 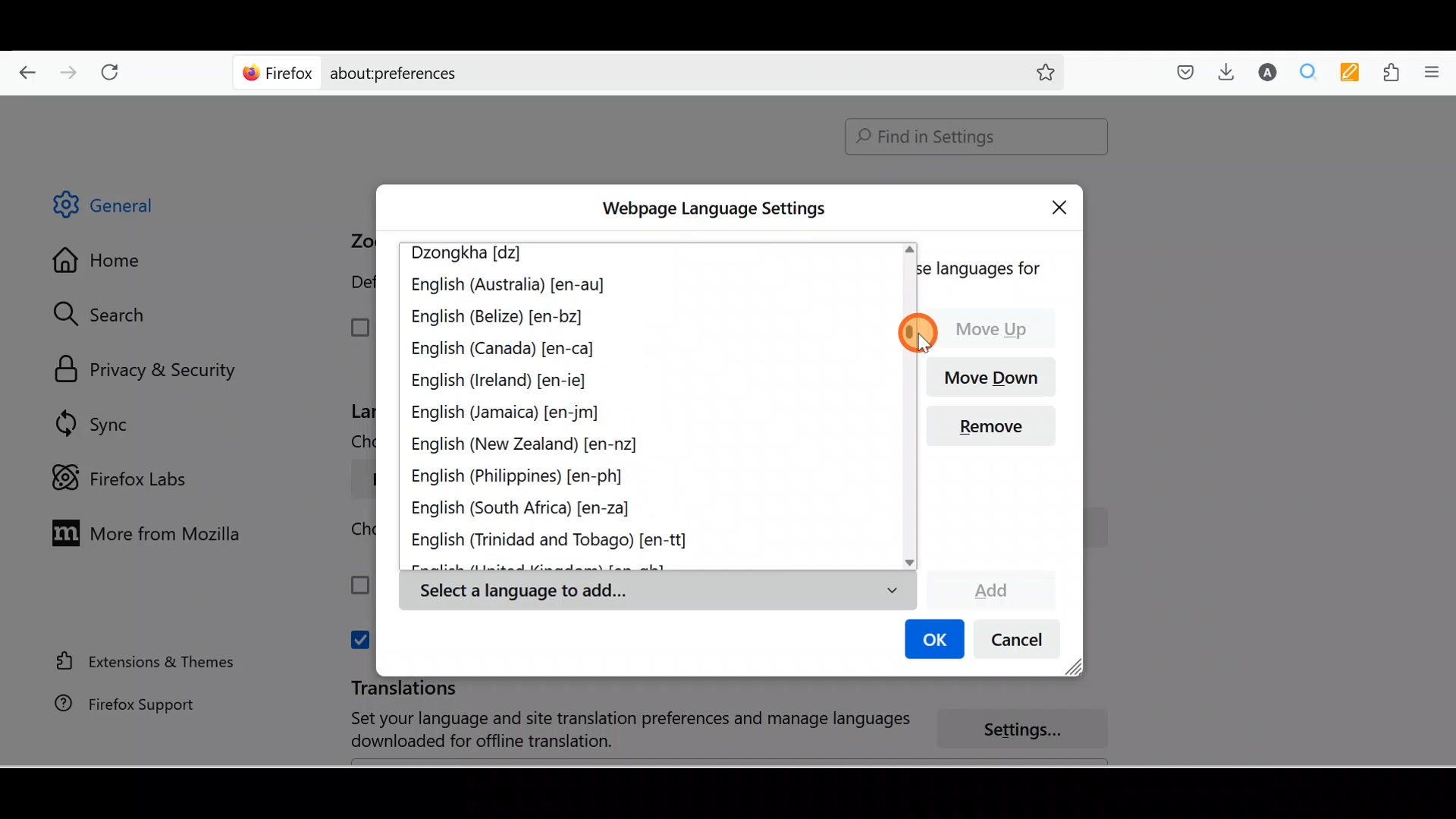 What do you see at coordinates (108, 264) in the screenshot?
I see `Home` at bounding box center [108, 264].